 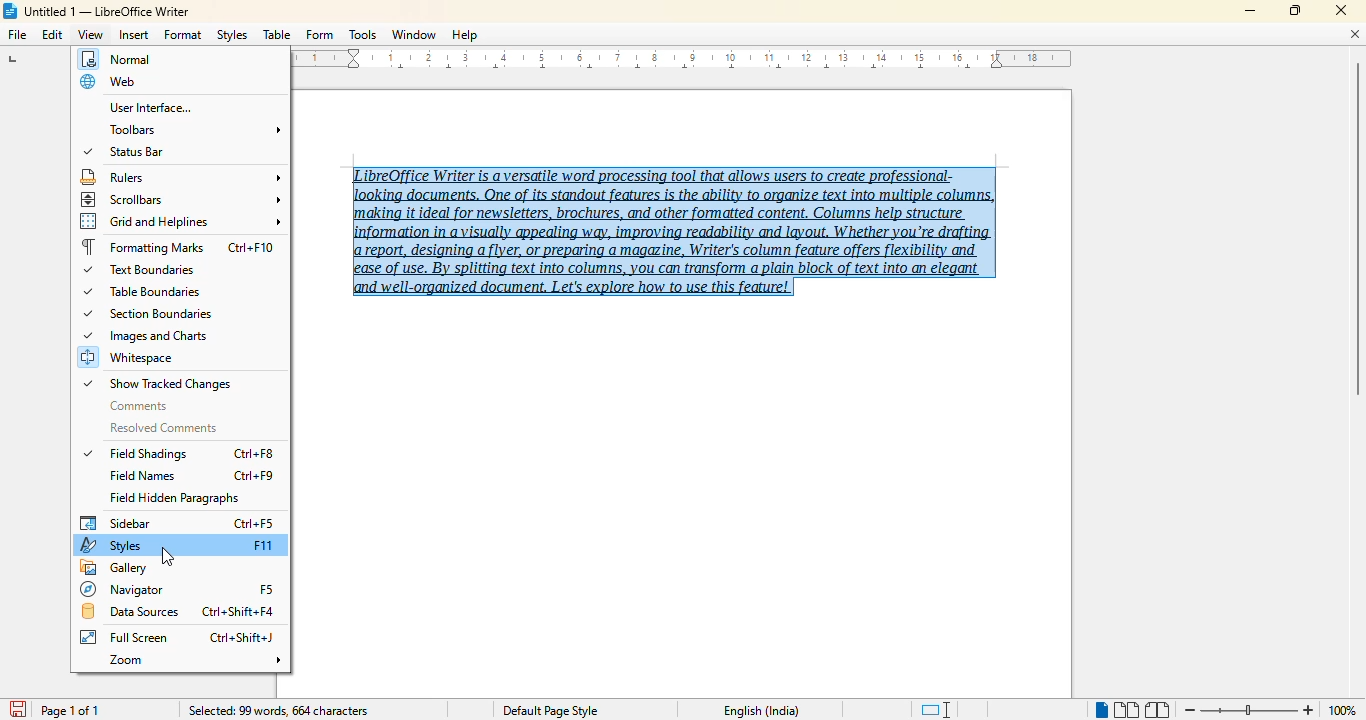 I want to click on whitespace, so click(x=126, y=358).